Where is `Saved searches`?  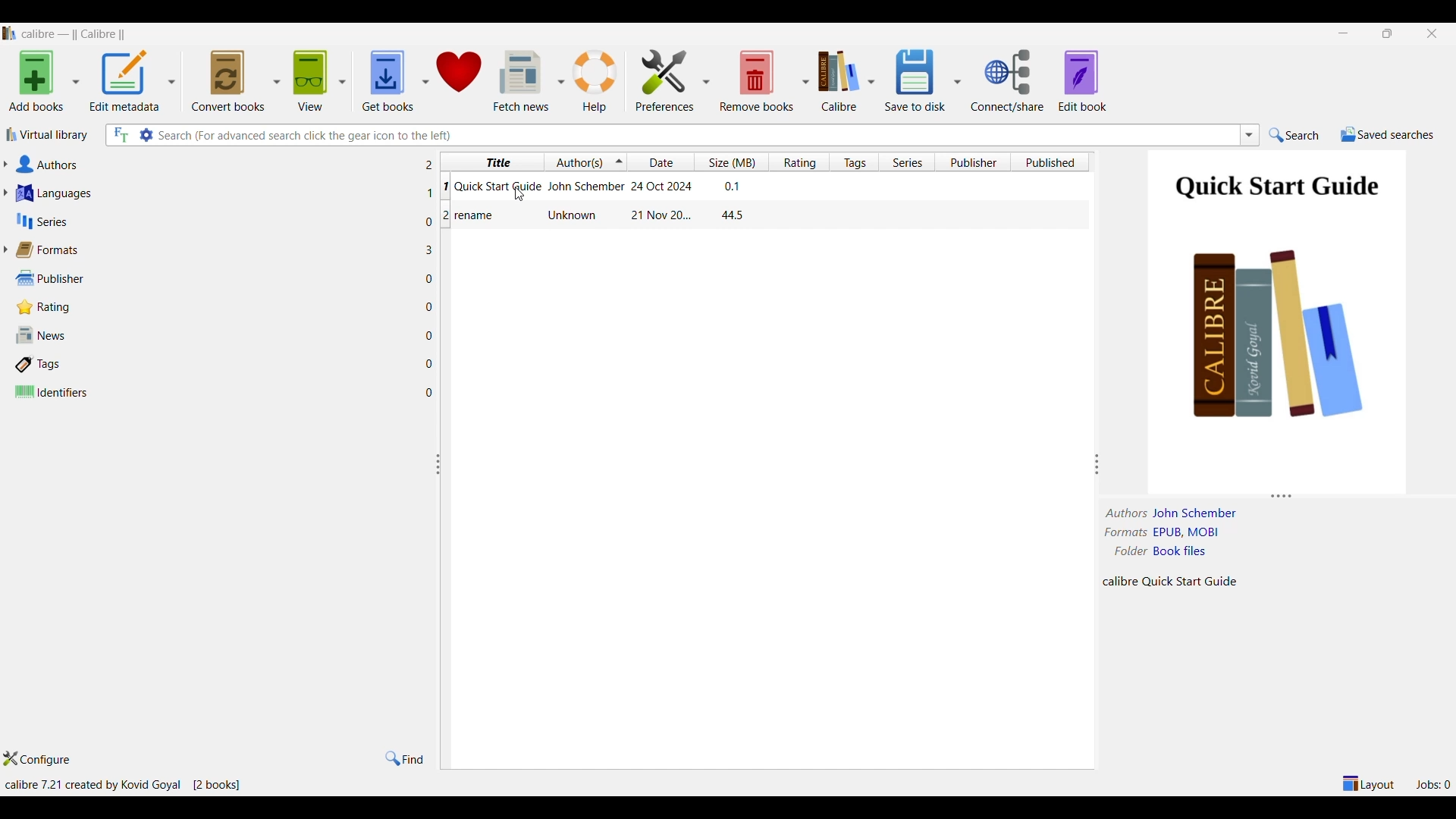
Saved searches is located at coordinates (1388, 135).